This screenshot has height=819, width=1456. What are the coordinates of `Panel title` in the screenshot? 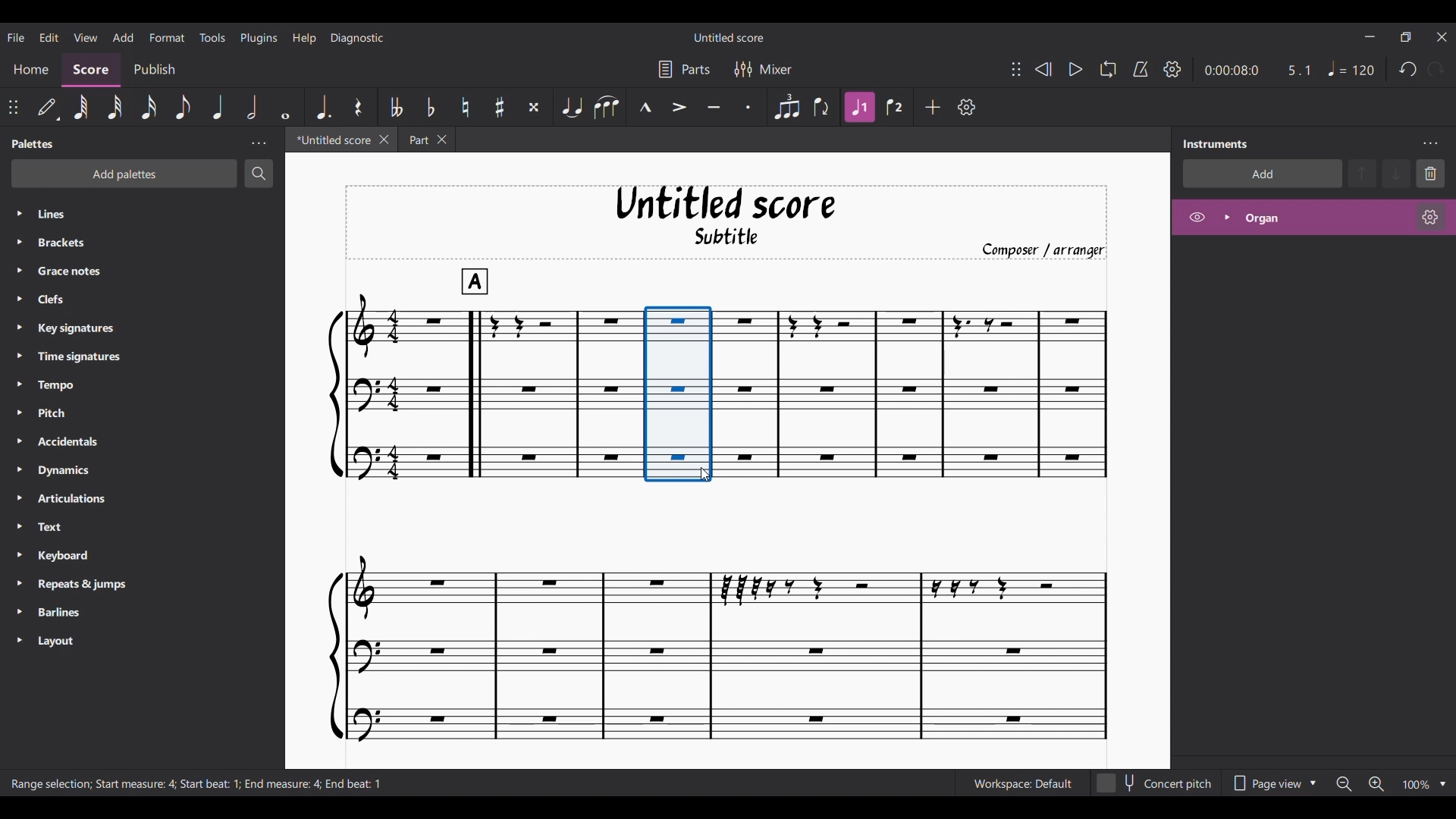 It's located at (1214, 143).